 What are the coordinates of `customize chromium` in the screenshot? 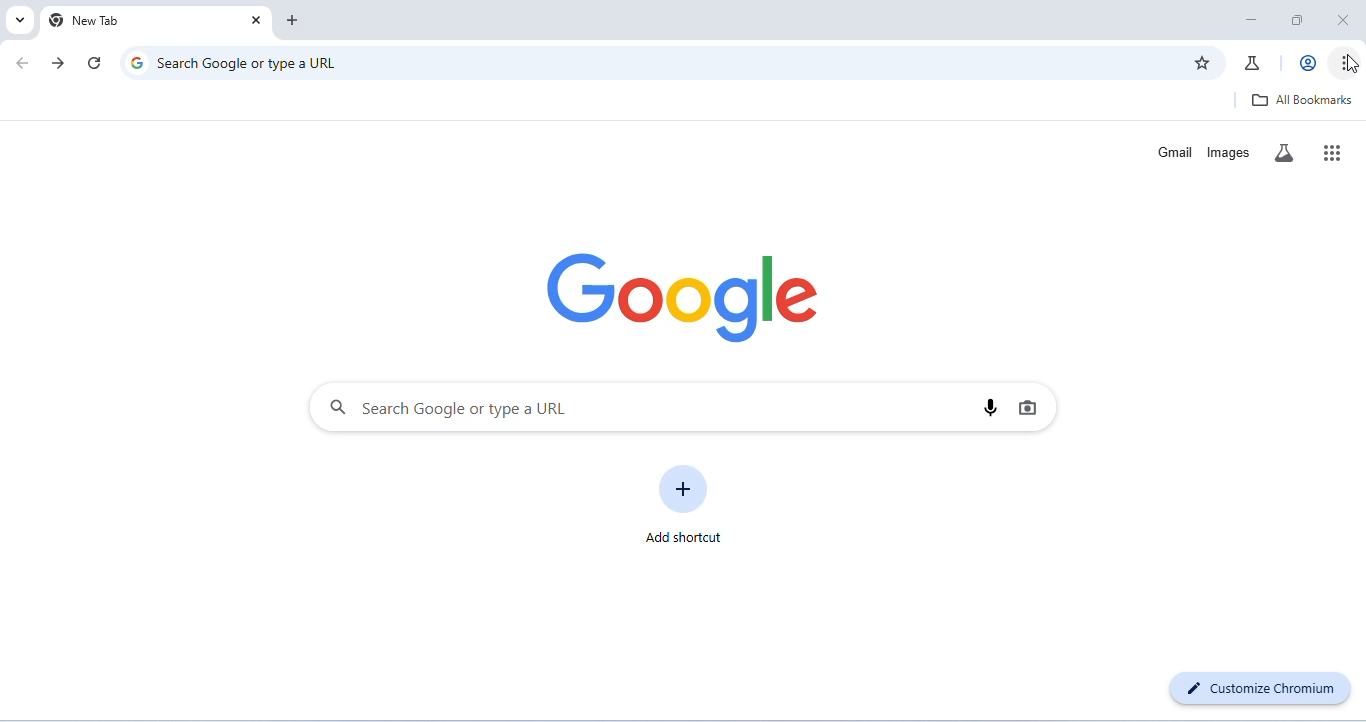 It's located at (1261, 692).